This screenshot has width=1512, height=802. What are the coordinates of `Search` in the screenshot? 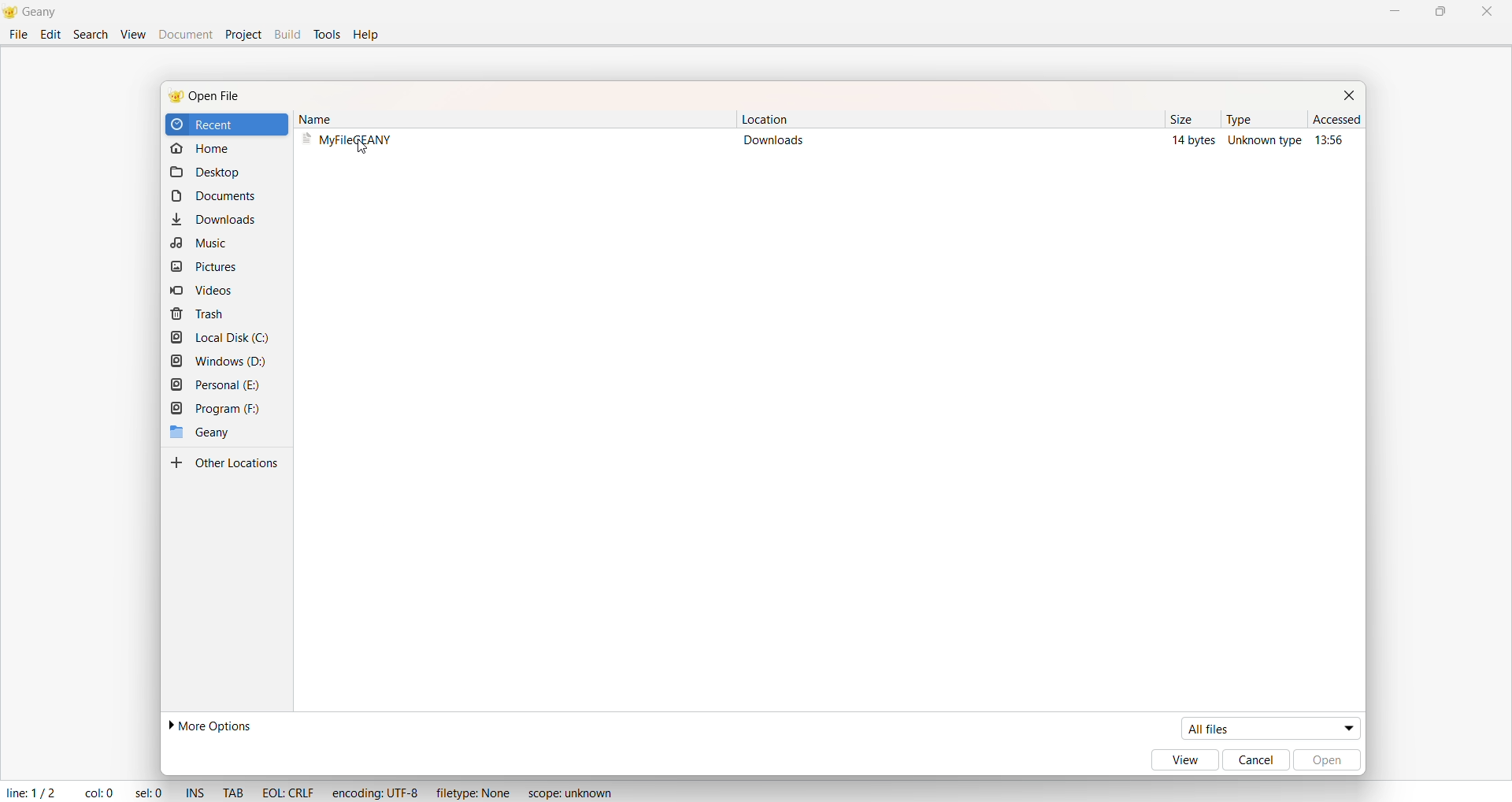 It's located at (91, 36).